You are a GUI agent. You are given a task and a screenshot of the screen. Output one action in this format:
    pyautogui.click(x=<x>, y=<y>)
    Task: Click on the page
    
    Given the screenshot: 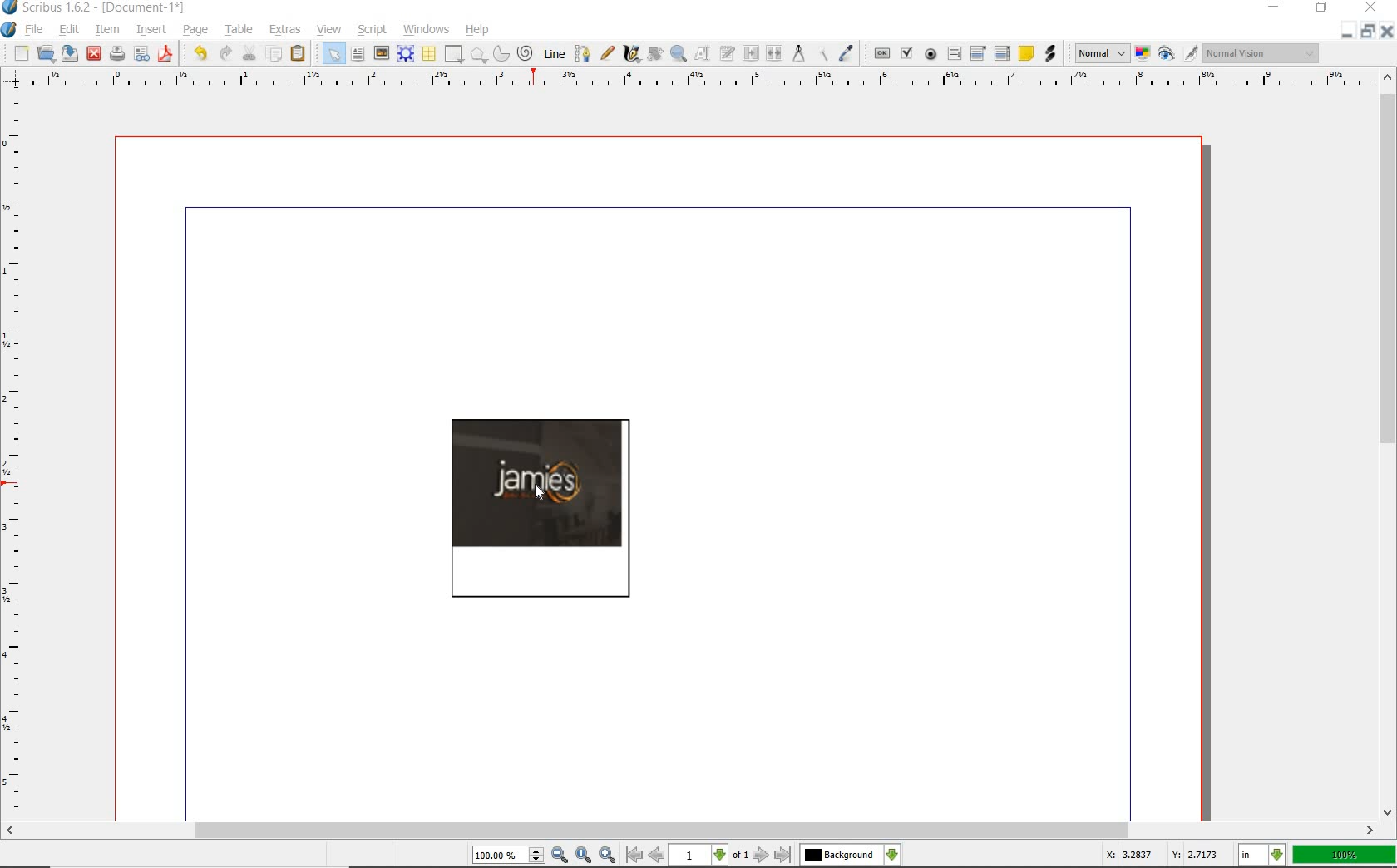 What is the action you would take?
    pyautogui.click(x=195, y=30)
    